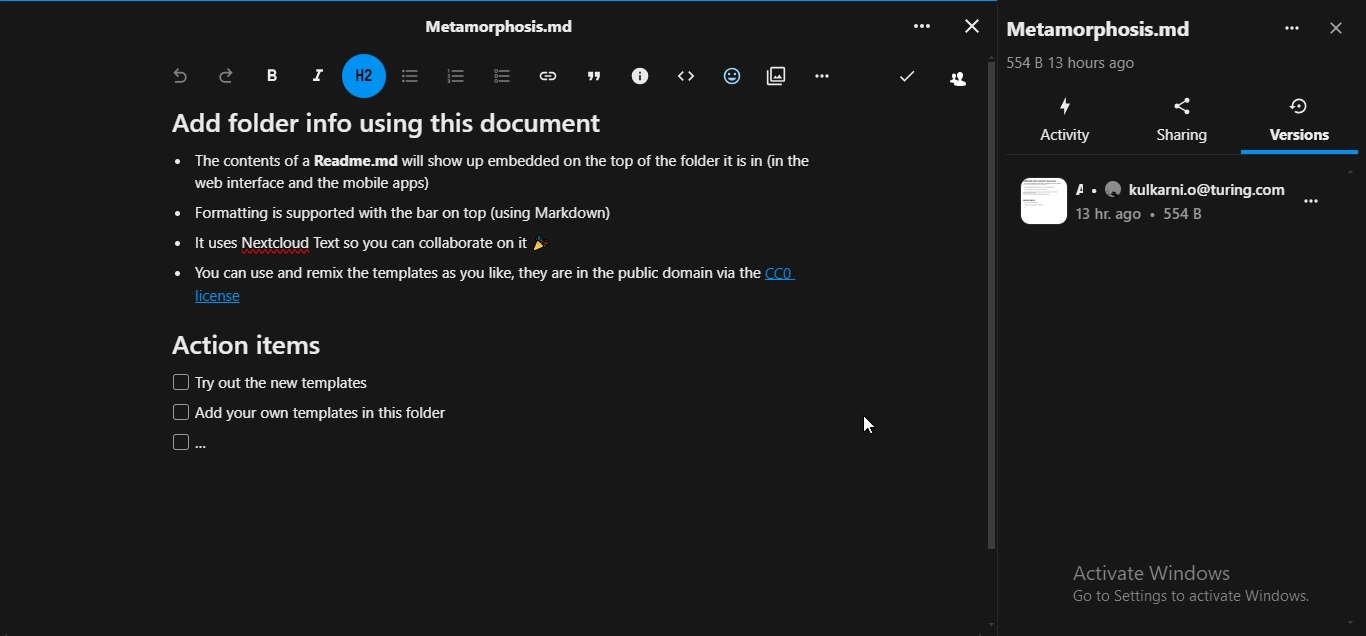  Describe the element at coordinates (637, 74) in the screenshot. I see `callouts` at that location.